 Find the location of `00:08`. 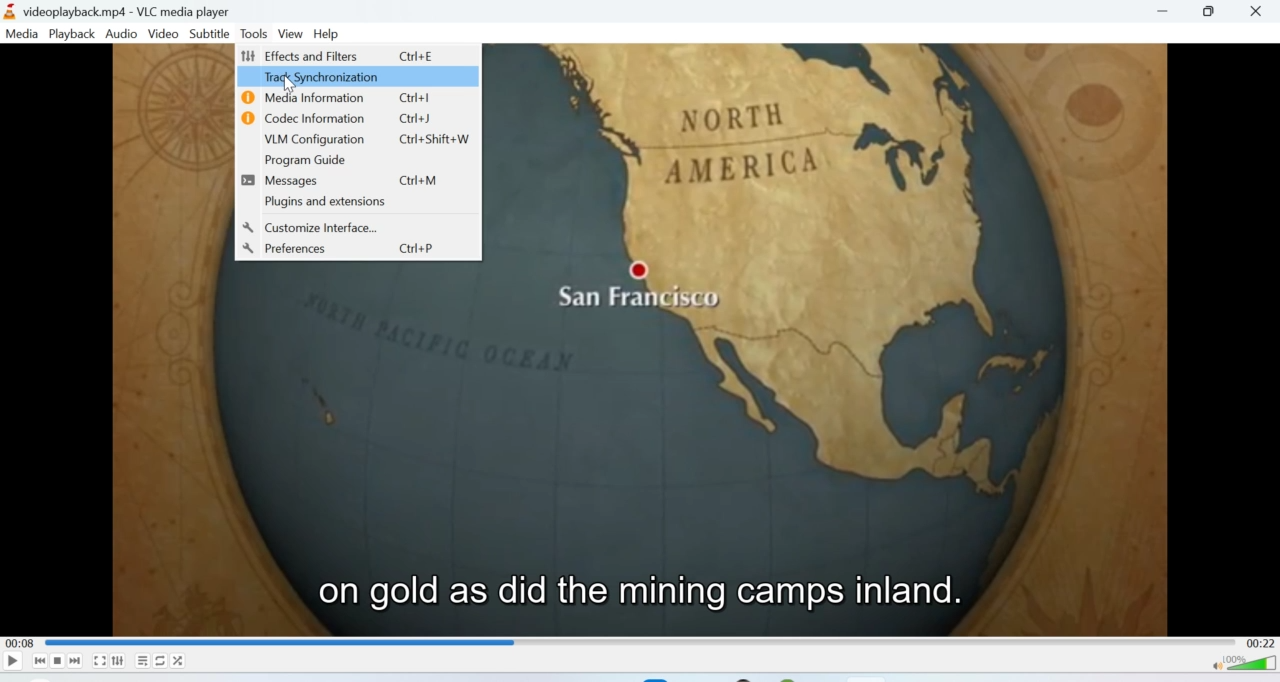

00:08 is located at coordinates (20, 644).